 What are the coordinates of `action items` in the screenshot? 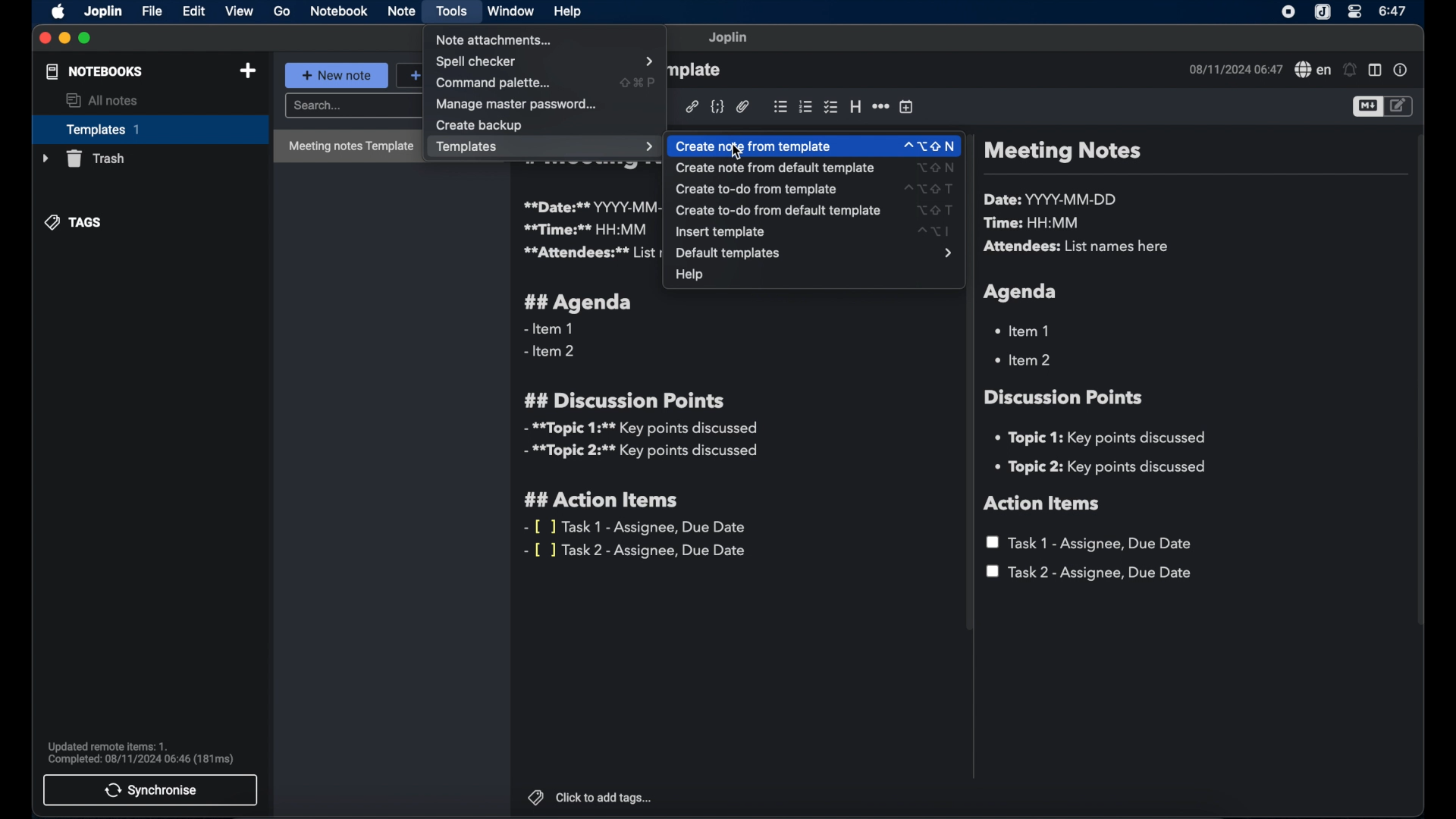 It's located at (1043, 504).